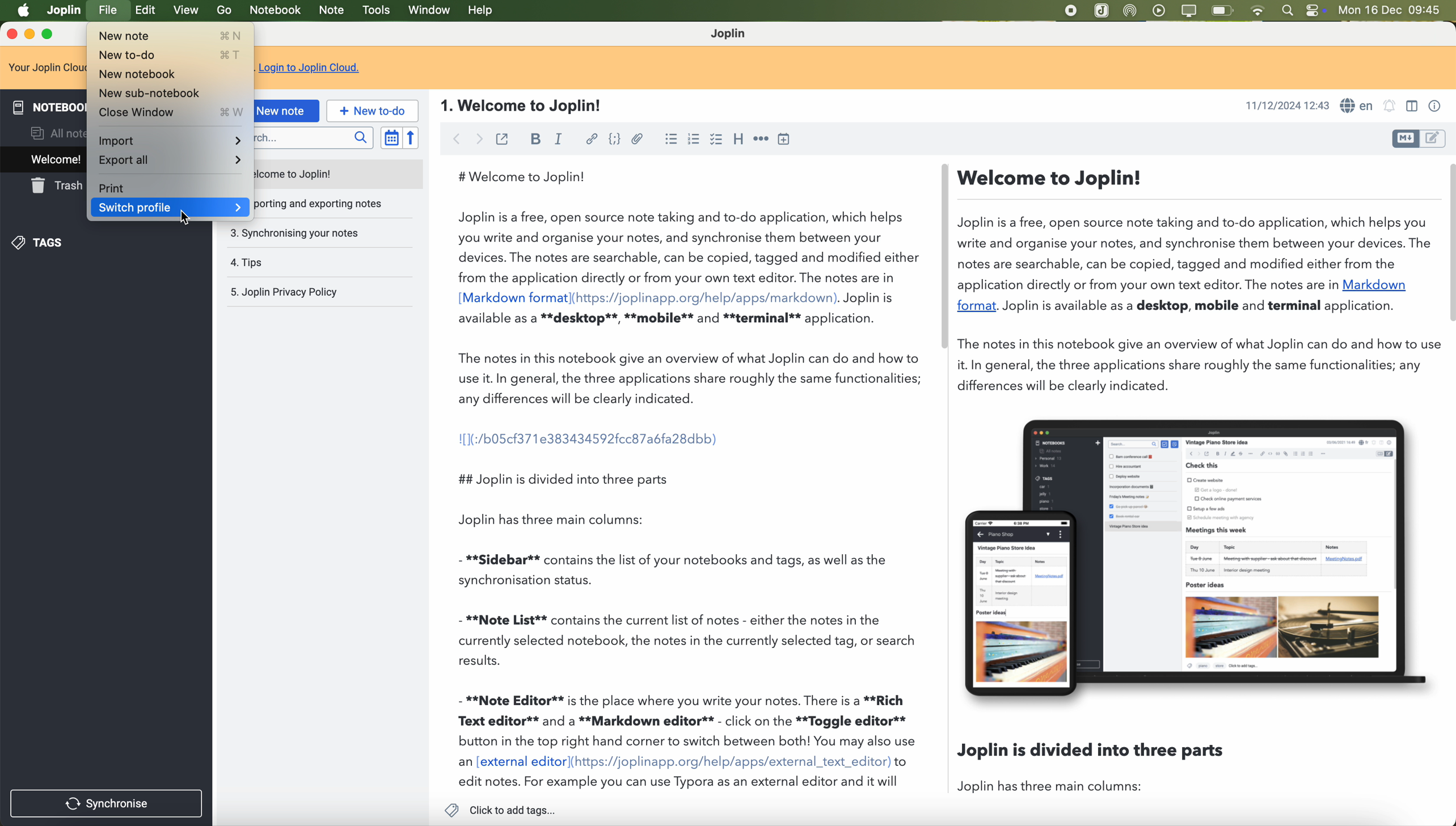 This screenshot has width=1456, height=826. I want to click on Airdrop, so click(1133, 11).